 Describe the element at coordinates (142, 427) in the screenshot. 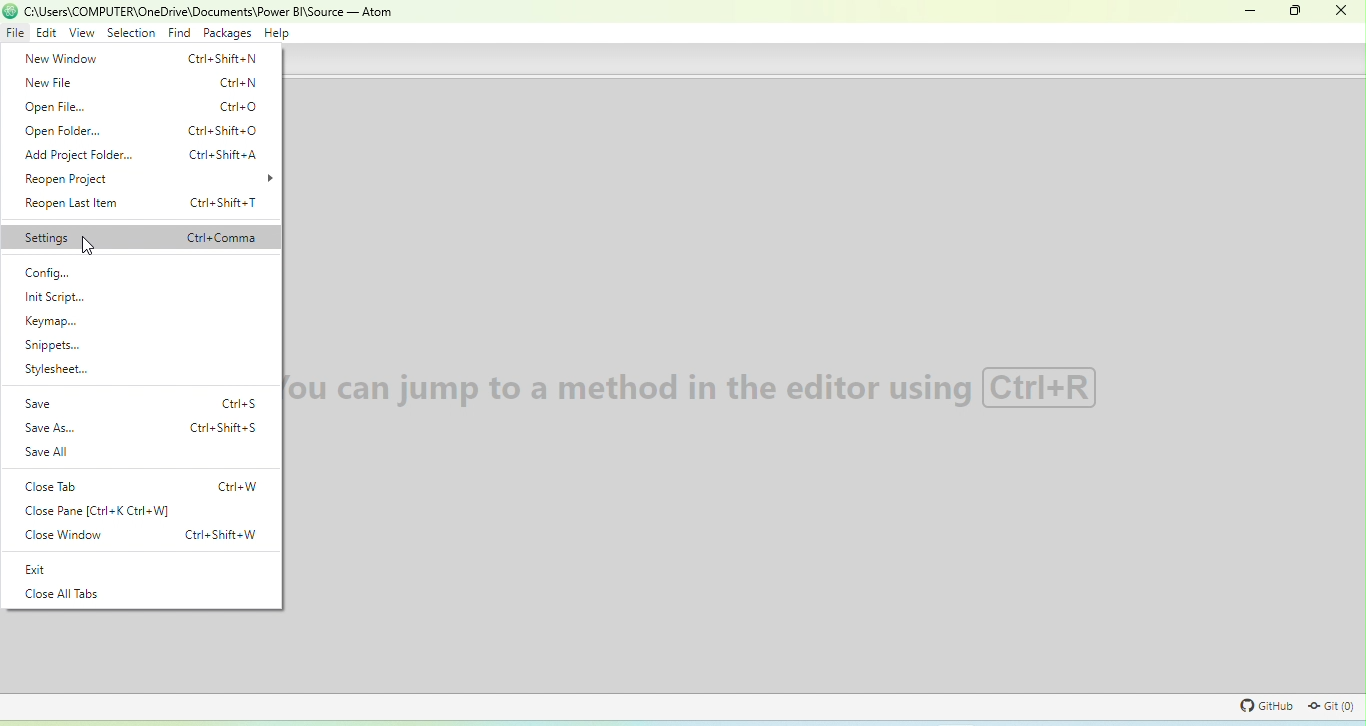

I see `save as` at that location.